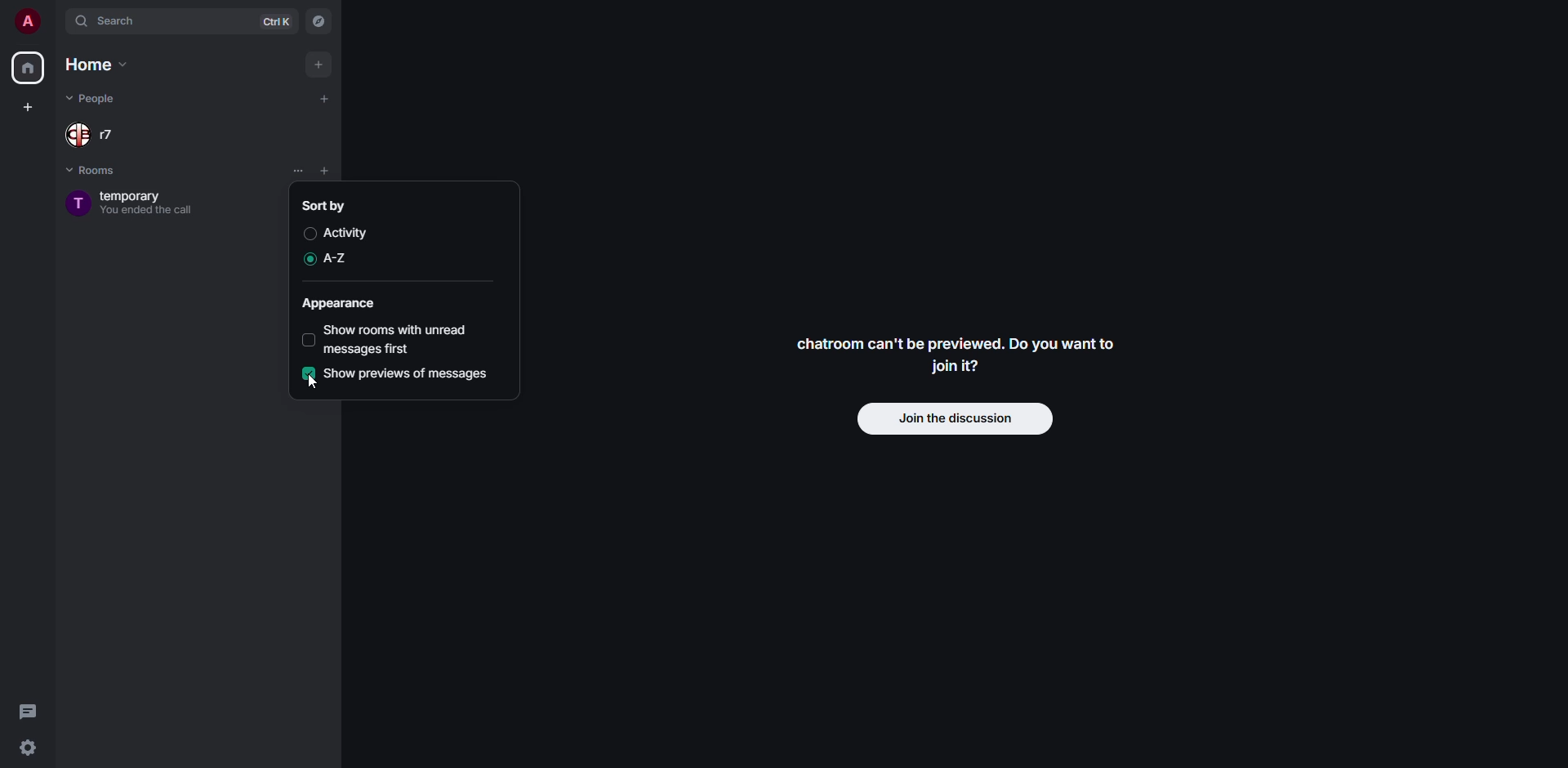 This screenshot has width=1568, height=768. Describe the element at coordinates (322, 204) in the screenshot. I see `sort by` at that location.